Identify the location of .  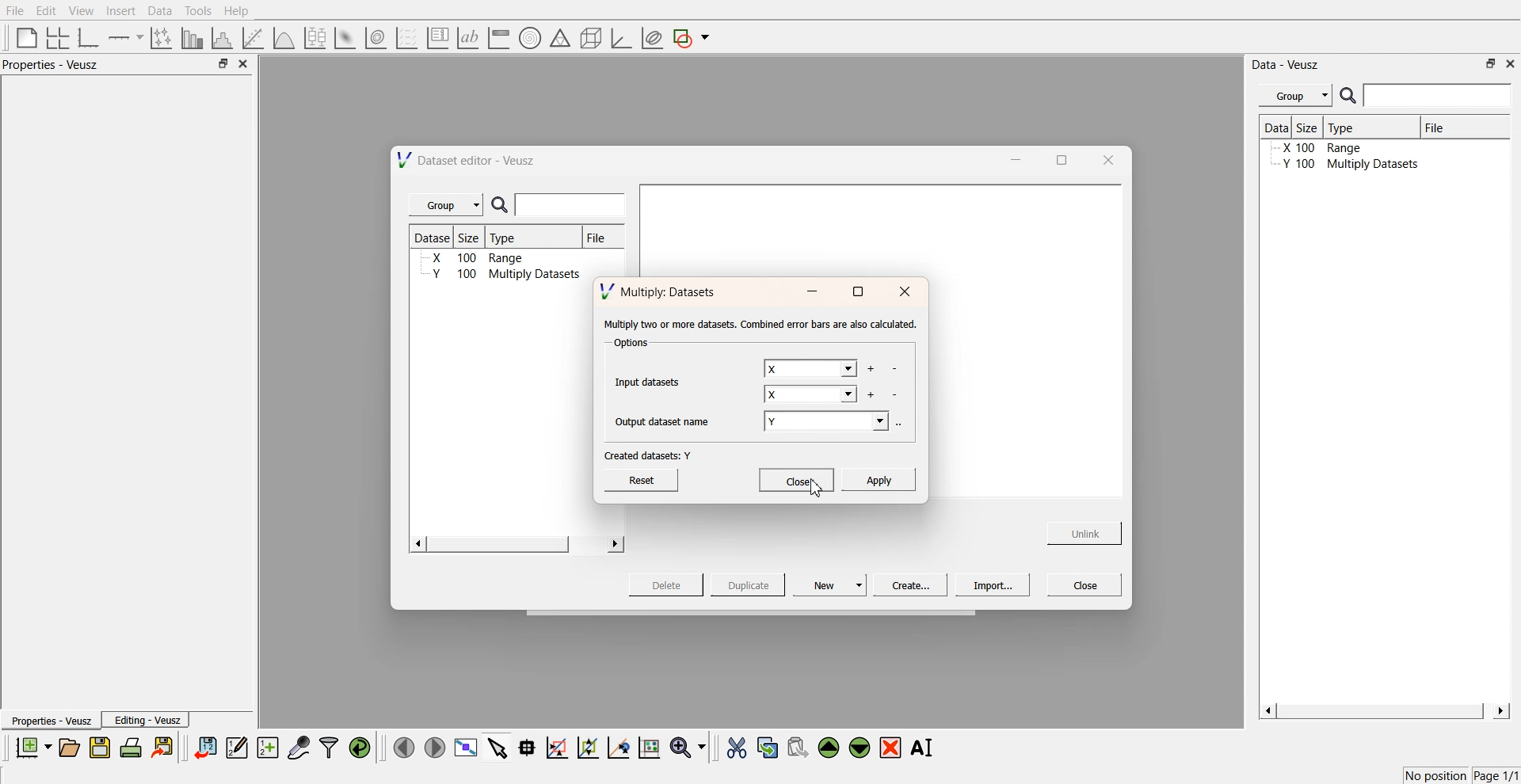
(1295, 96).